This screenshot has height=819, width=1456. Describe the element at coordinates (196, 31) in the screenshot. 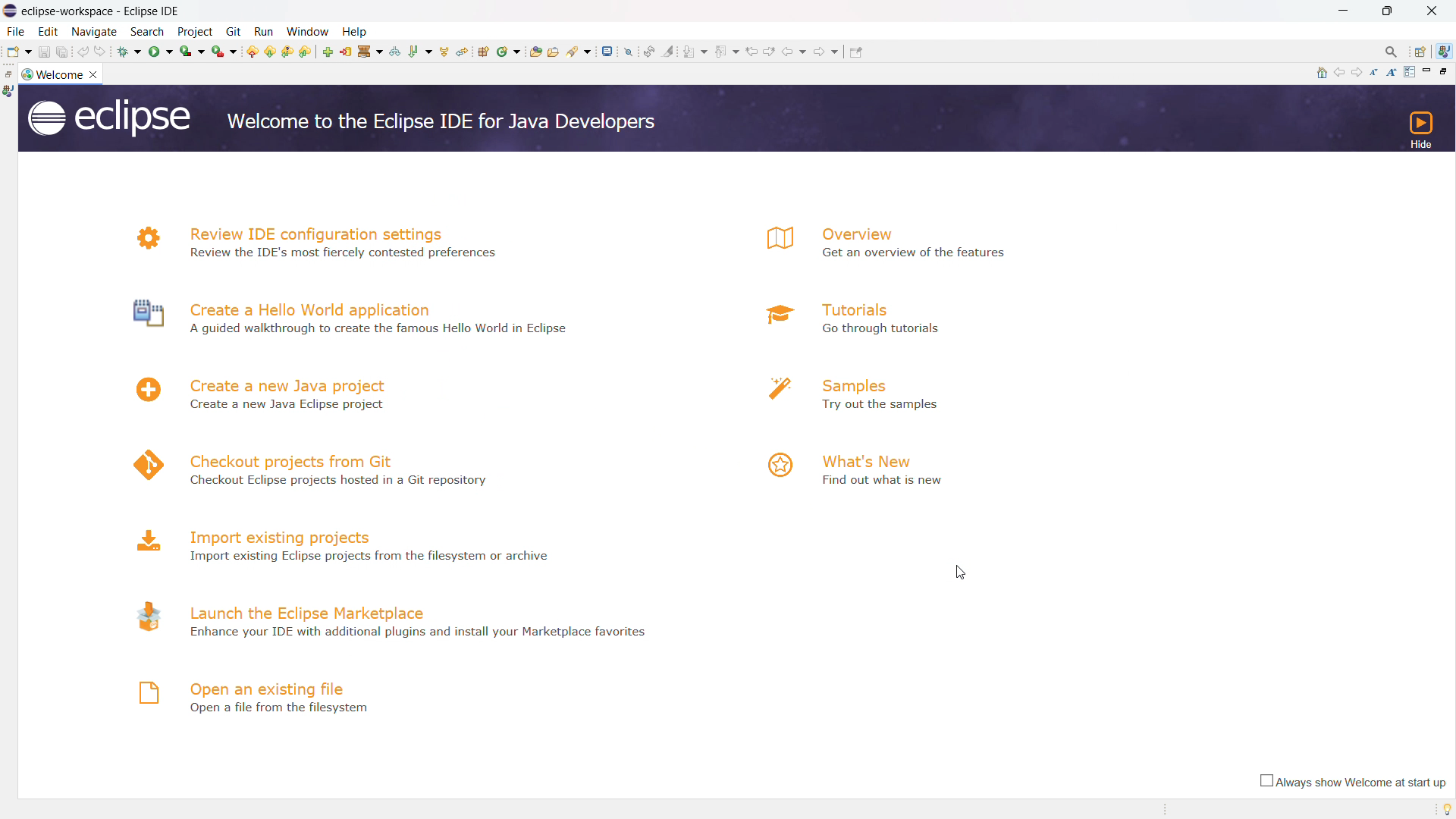

I see `project` at that location.